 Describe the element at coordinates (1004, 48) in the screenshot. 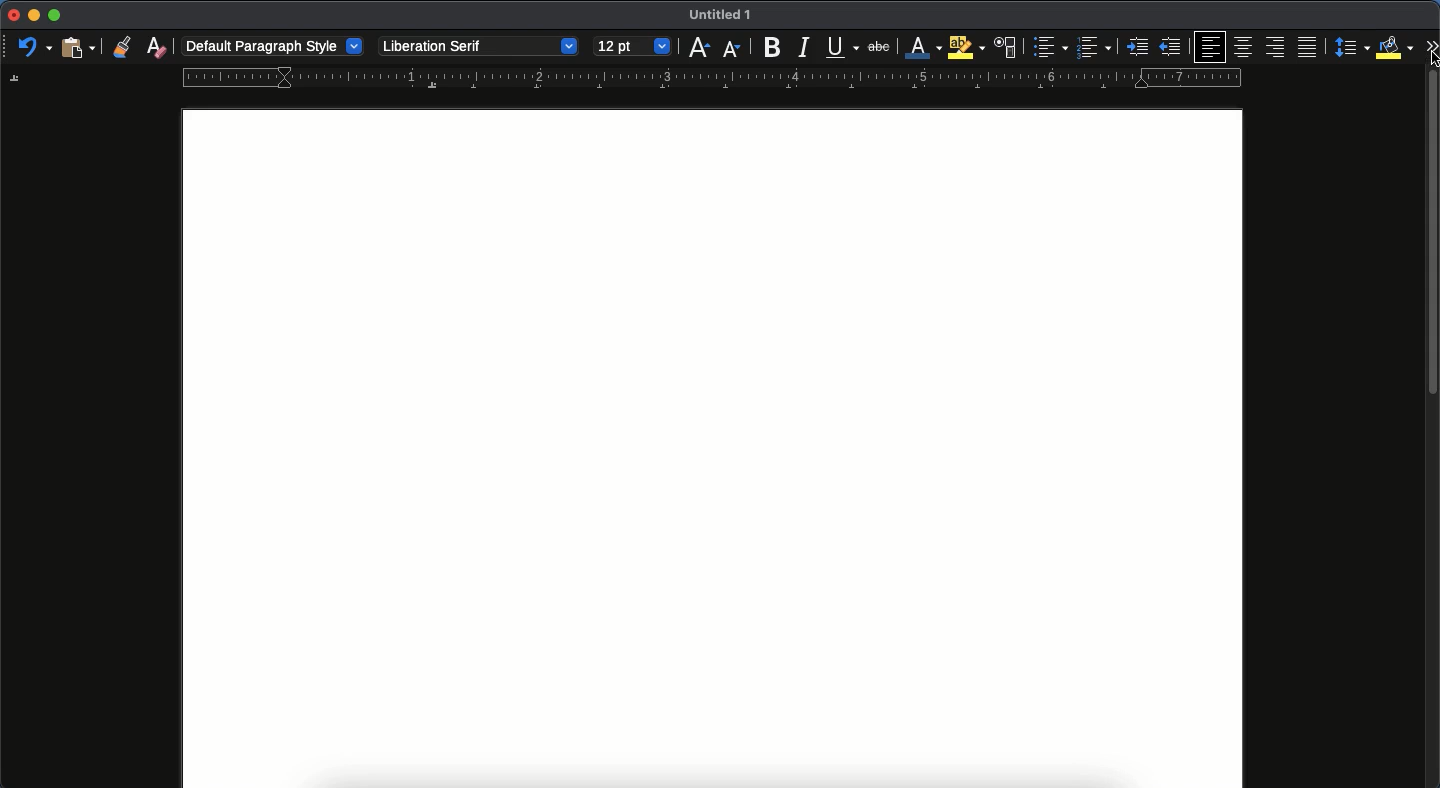

I see `character` at that location.